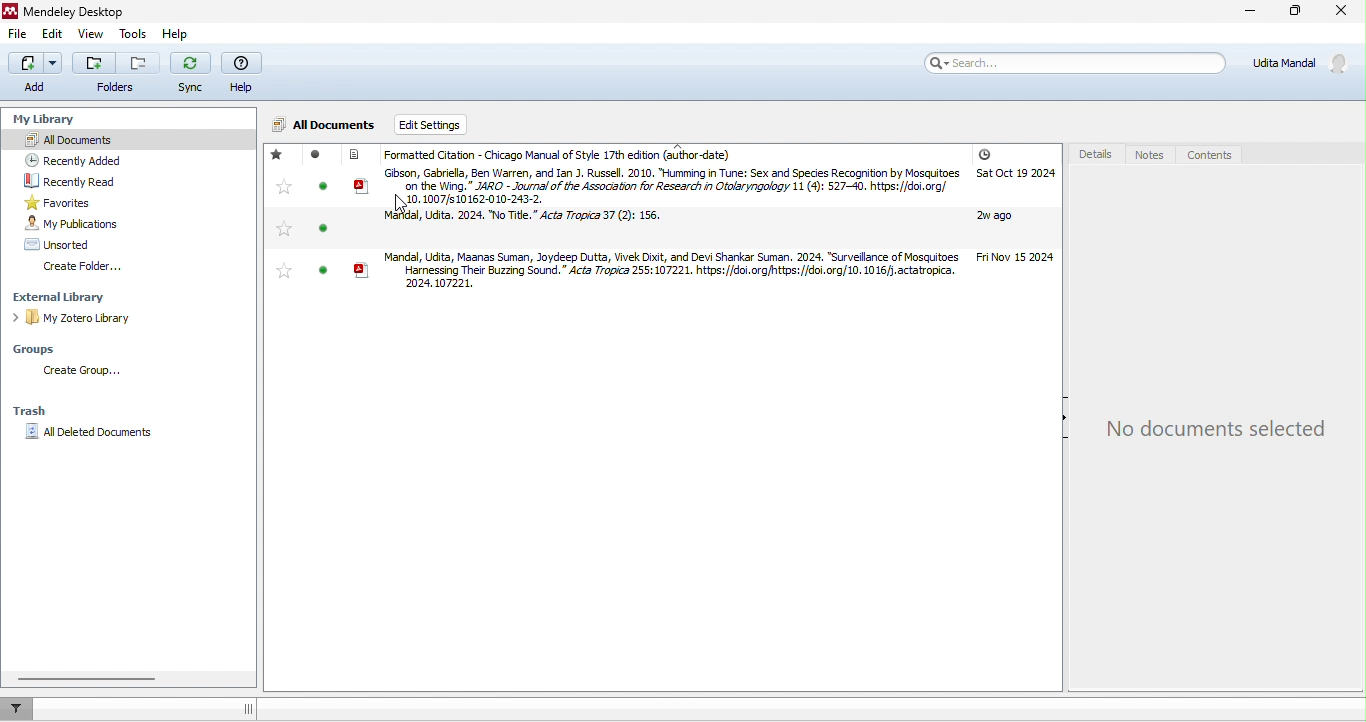  What do you see at coordinates (113, 75) in the screenshot?
I see `folder` at bounding box center [113, 75].